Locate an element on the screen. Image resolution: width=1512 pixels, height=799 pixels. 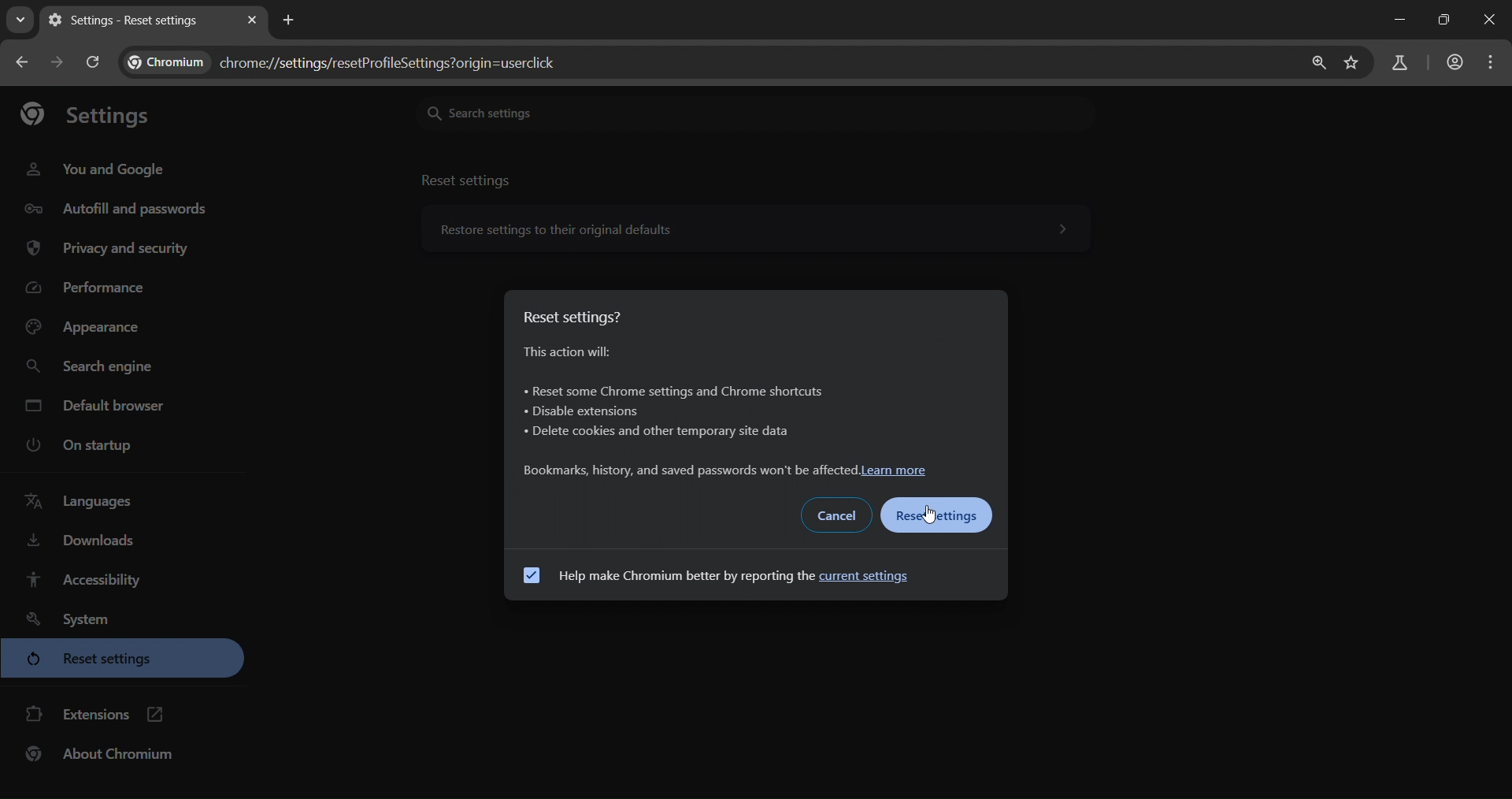
Maximize is located at coordinates (1447, 19).